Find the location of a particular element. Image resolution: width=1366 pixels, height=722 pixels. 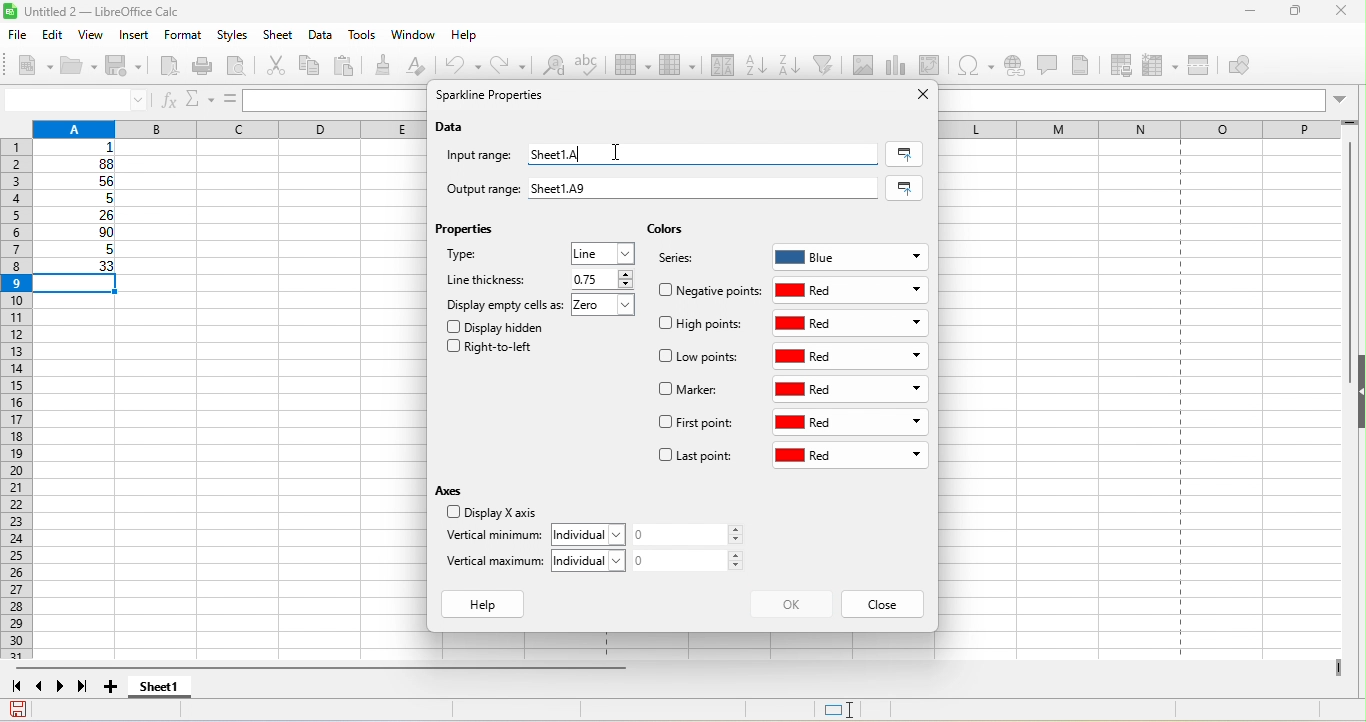

insert is located at coordinates (136, 36).